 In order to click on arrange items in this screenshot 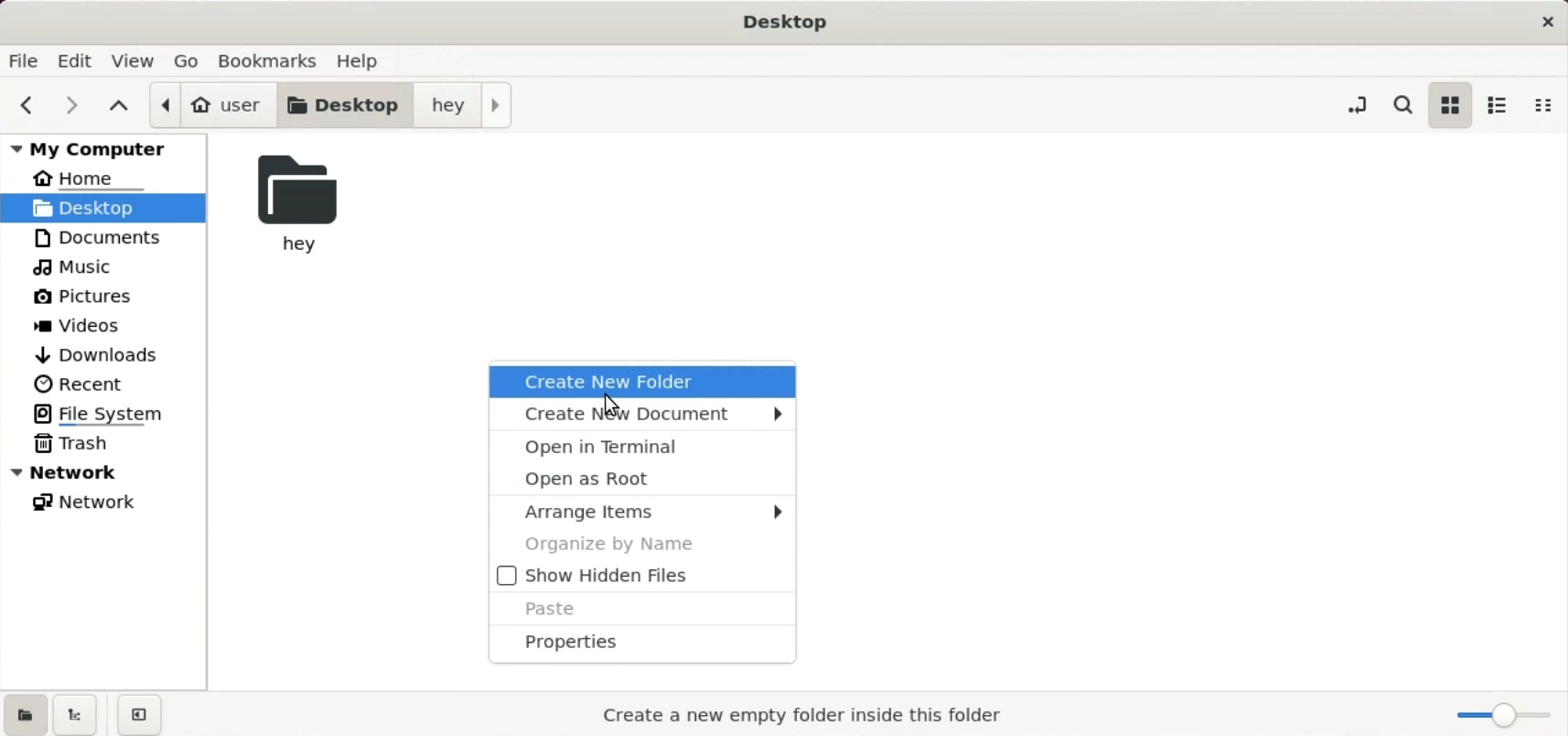, I will do `click(639, 511)`.